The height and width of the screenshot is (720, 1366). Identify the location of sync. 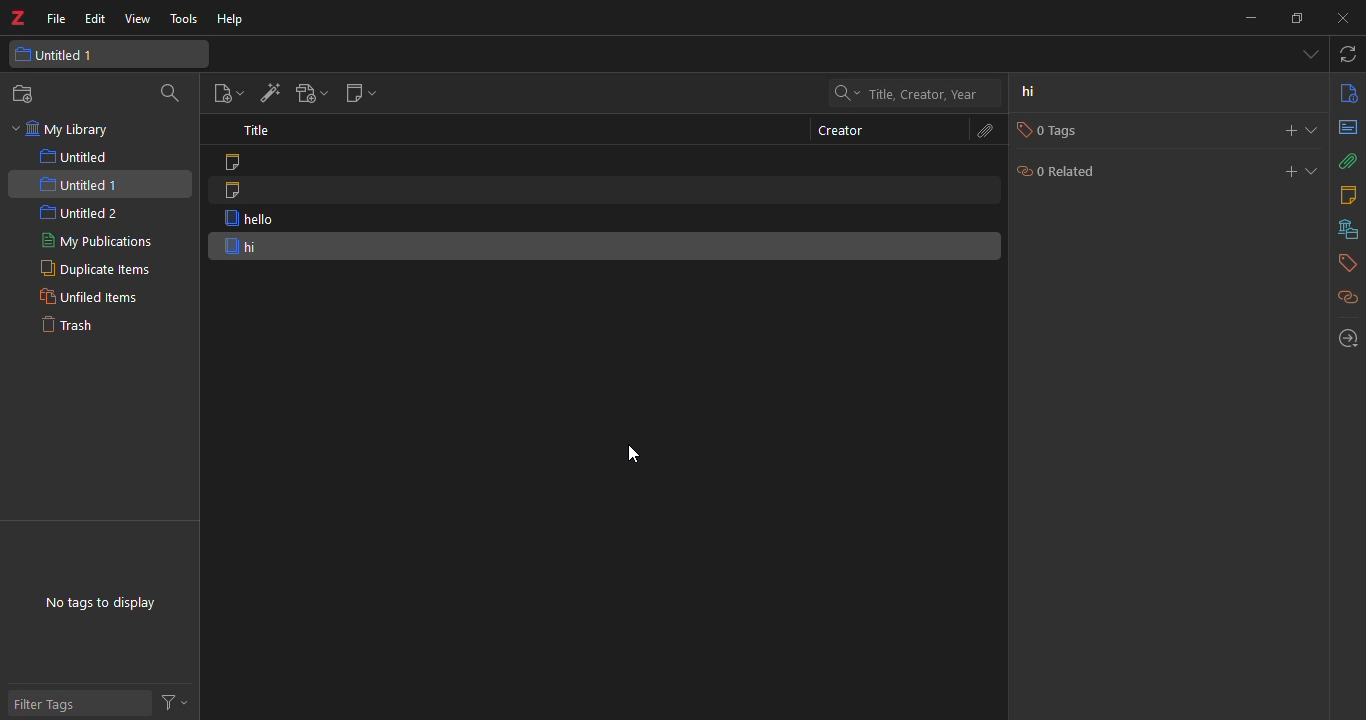
(1349, 55).